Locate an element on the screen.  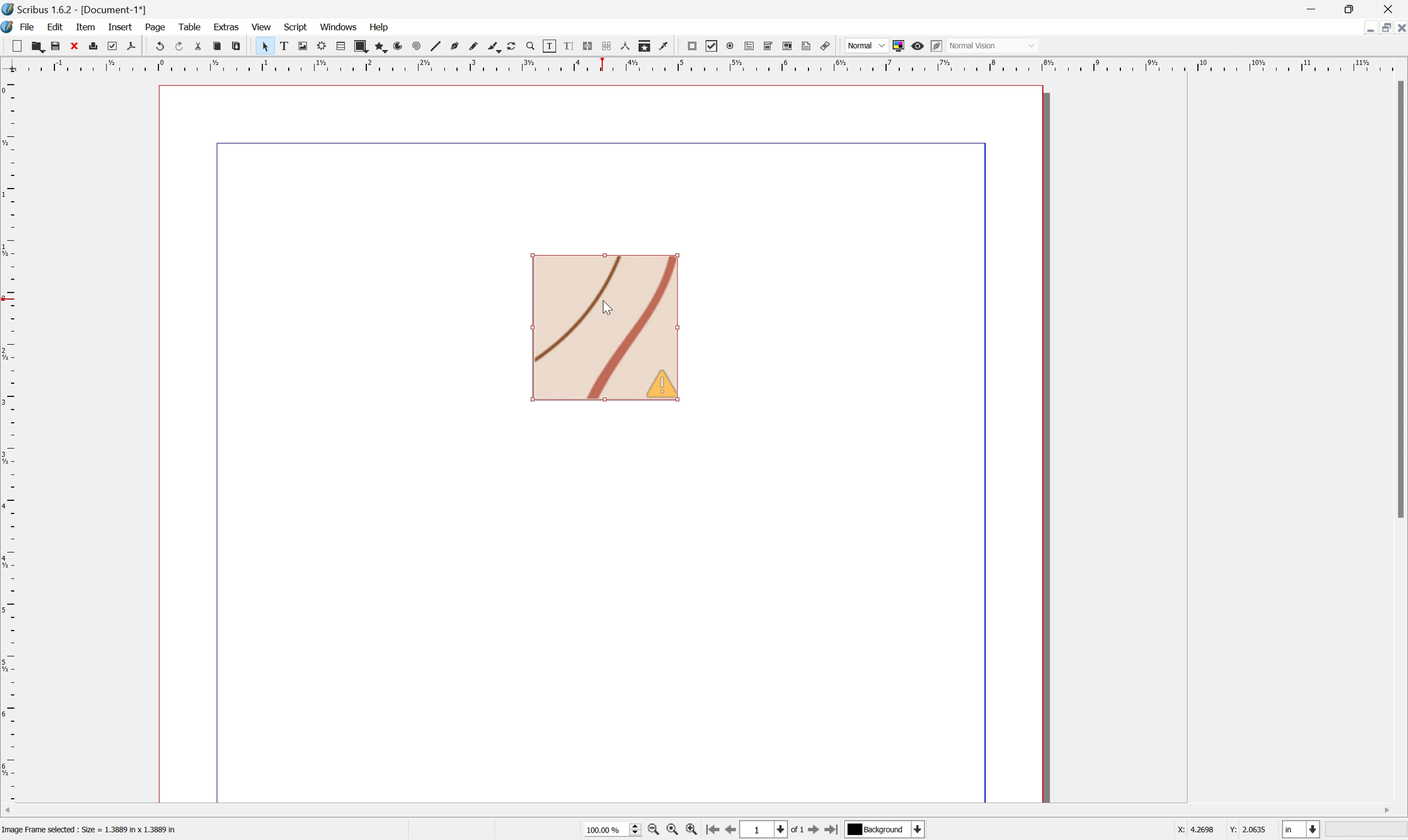
Zoom out by the stepping value in tools preferences is located at coordinates (653, 832).